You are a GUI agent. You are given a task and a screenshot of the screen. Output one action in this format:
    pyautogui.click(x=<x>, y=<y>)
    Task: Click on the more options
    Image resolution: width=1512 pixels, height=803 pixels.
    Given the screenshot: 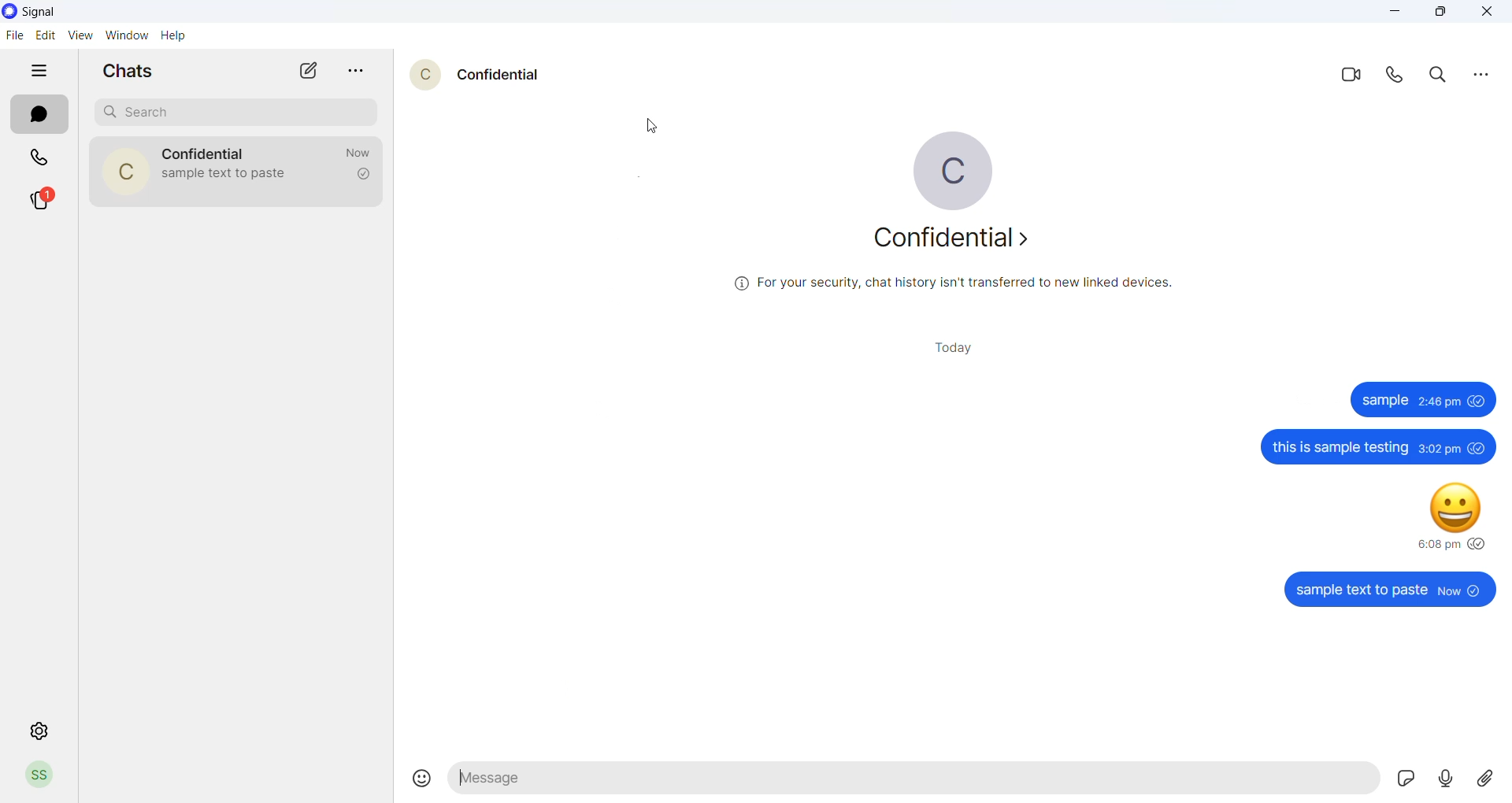 What is the action you would take?
    pyautogui.click(x=362, y=72)
    